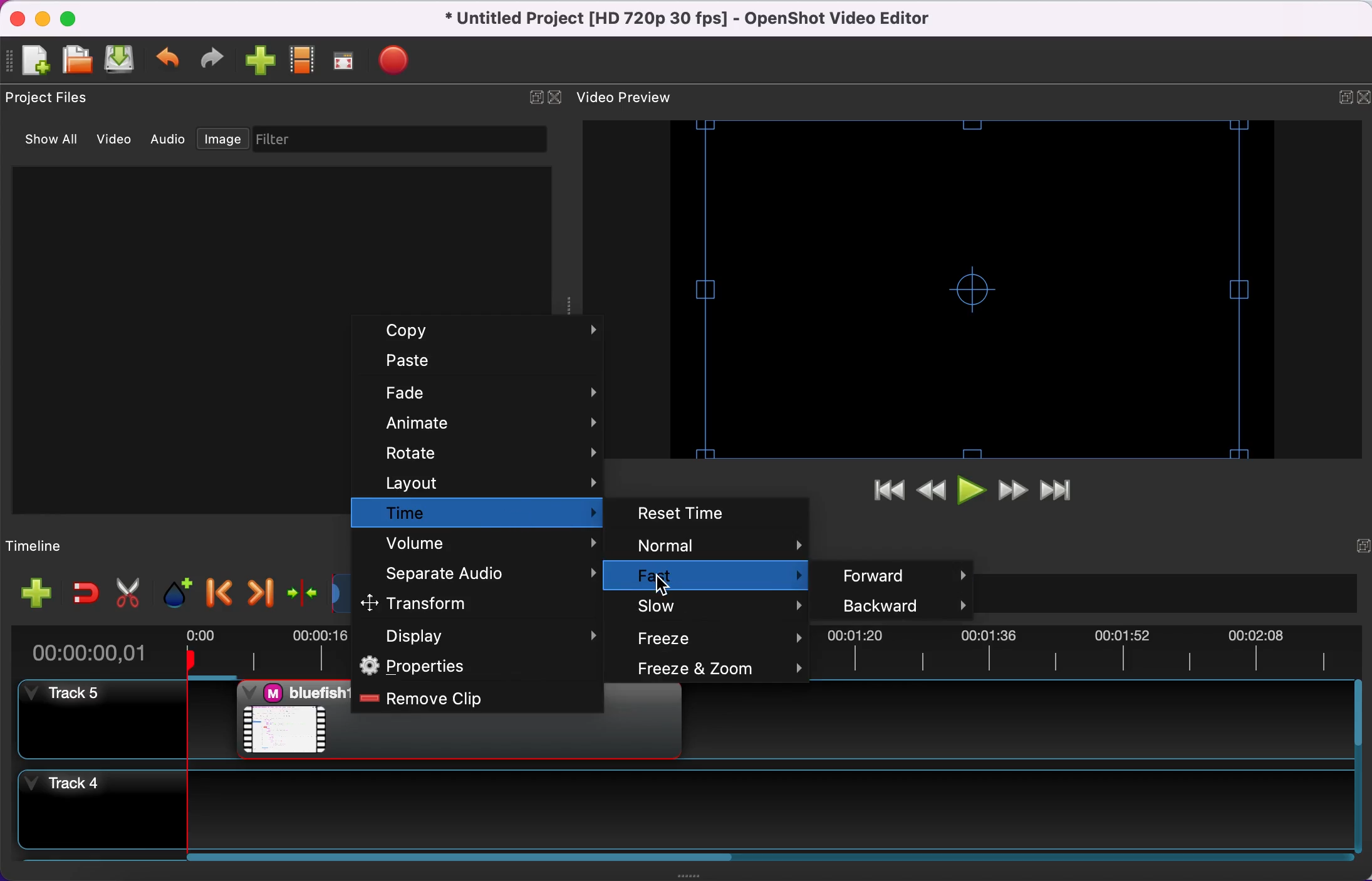 The height and width of the screenshot is (881, 1372). What do you see at coordinates (1064, 489) in the screenshot?
I see `jump to end` at bounding box center [1064, 489].